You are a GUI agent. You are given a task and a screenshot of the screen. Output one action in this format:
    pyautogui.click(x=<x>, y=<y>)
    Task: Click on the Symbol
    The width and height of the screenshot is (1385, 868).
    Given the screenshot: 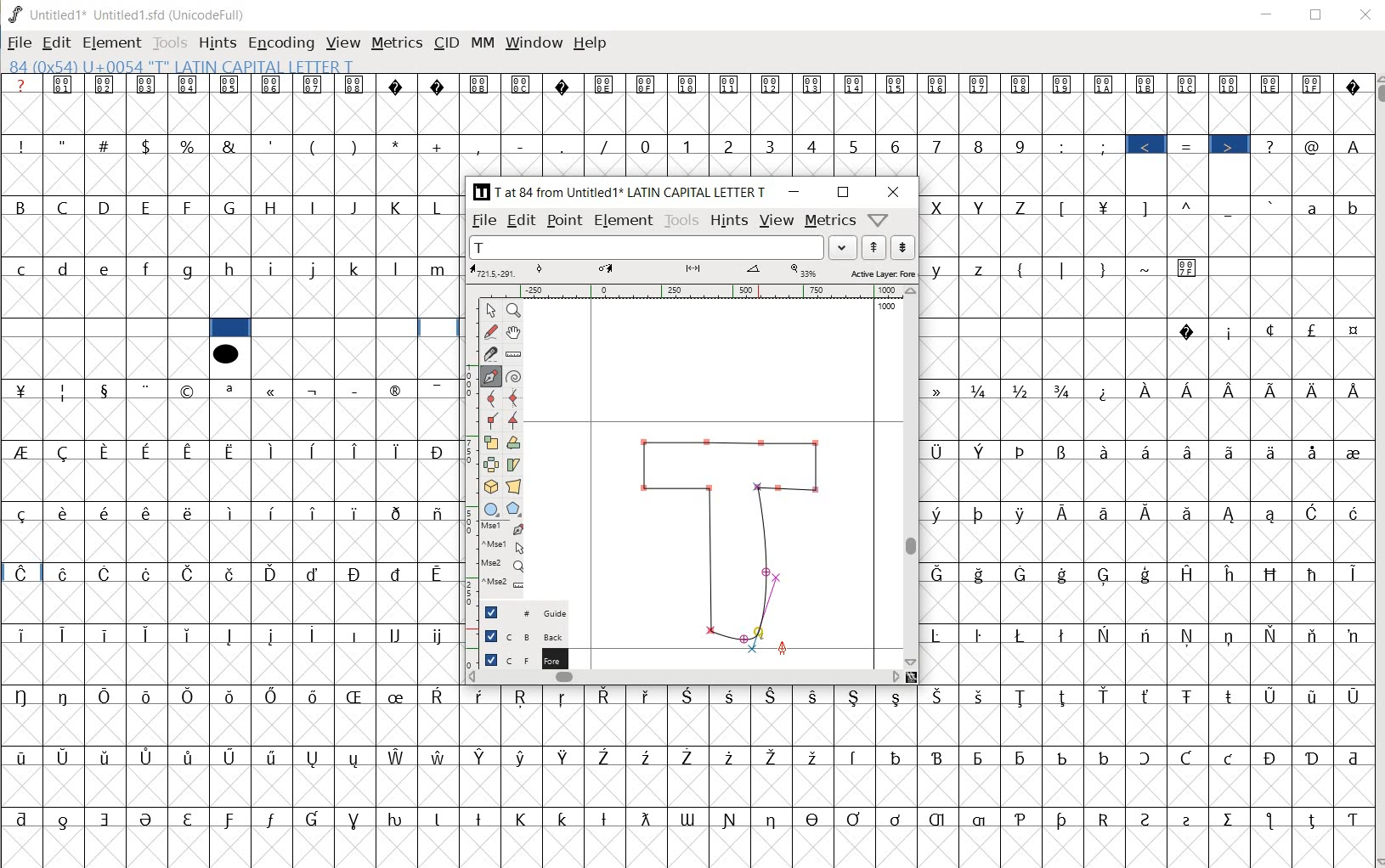 What is the action you would take?
    pyautogui.click(x=1149, y=84)
    